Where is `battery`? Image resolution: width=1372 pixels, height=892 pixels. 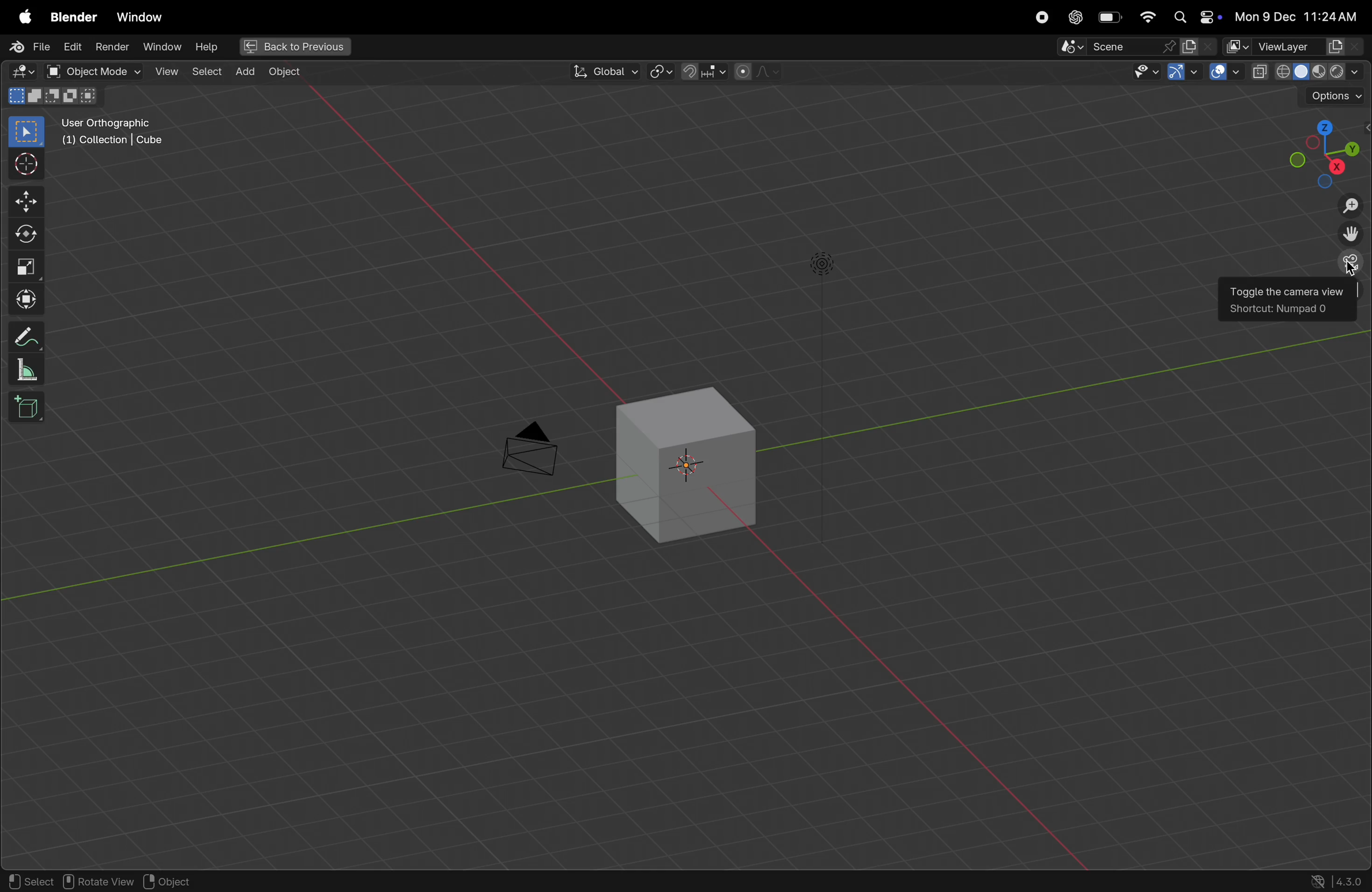
battery is located at coordinates (1111, 17).